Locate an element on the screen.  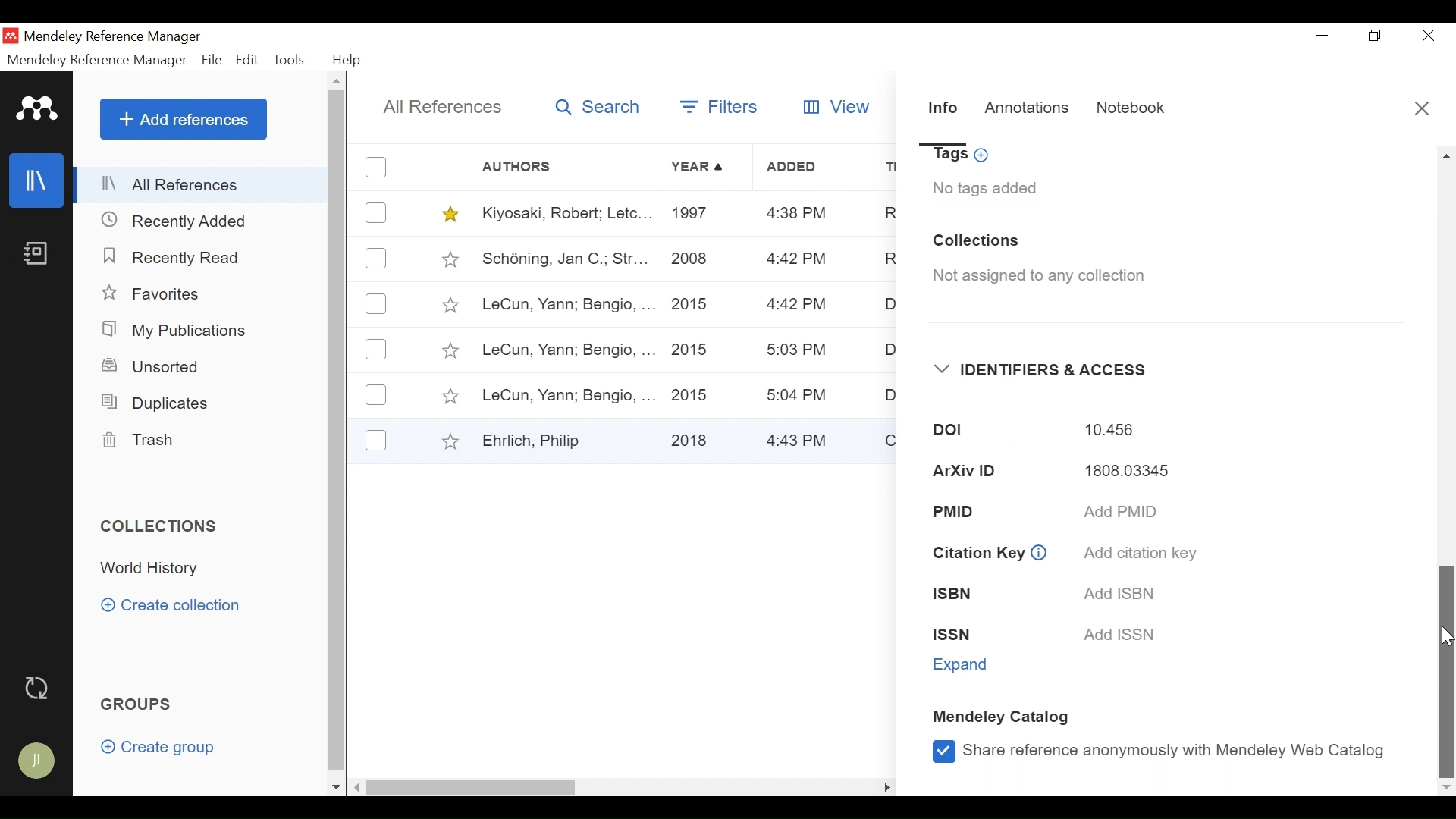
1997 is located at coordinates (693, 215).